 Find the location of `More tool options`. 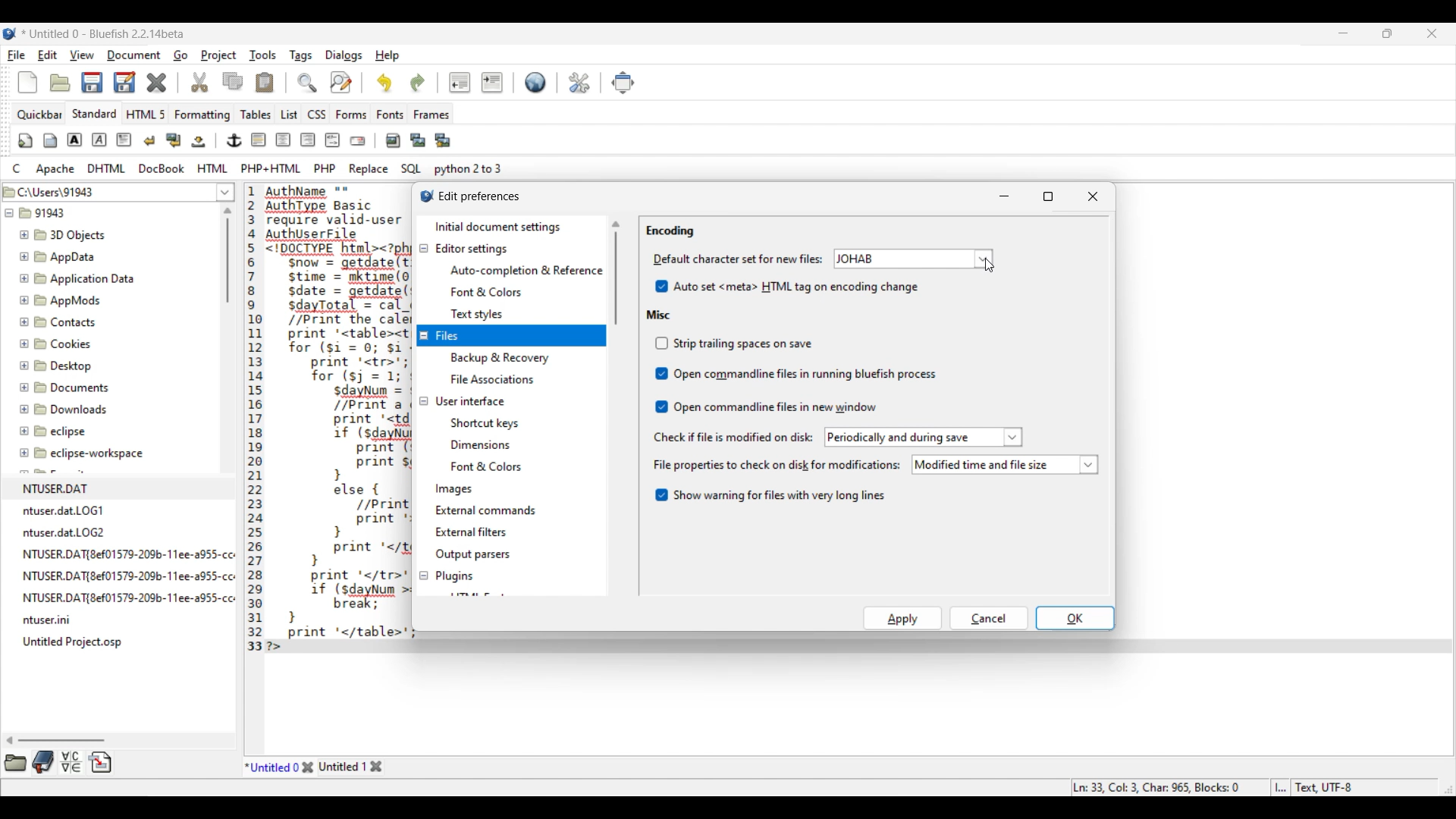

More tool options is located at coordinates (58, 761).